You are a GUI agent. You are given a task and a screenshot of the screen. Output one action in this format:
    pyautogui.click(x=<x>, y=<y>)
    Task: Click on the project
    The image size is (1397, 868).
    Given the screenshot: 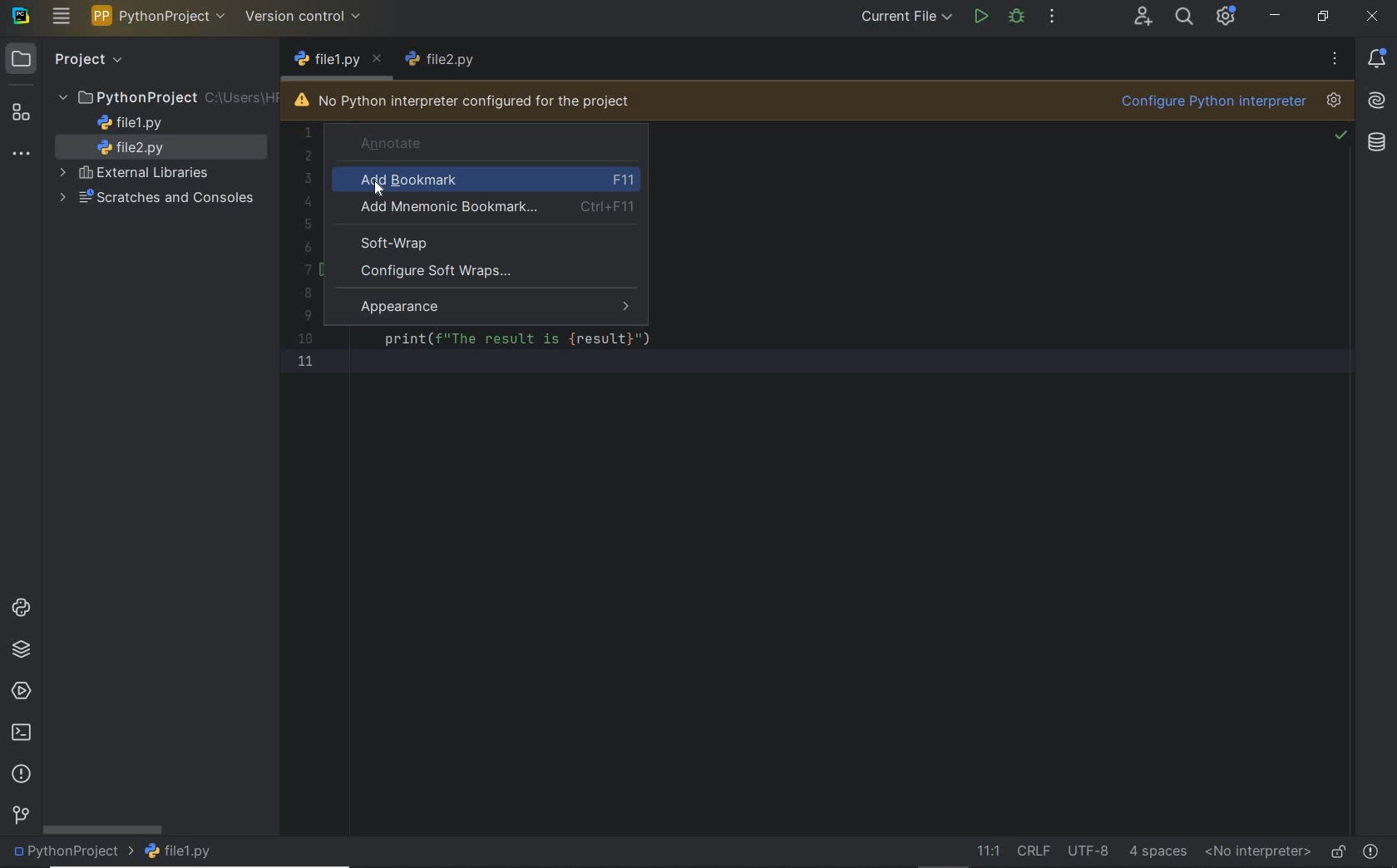 What is the action you would take?
    pyautogui.click(x=67, y=60)
    